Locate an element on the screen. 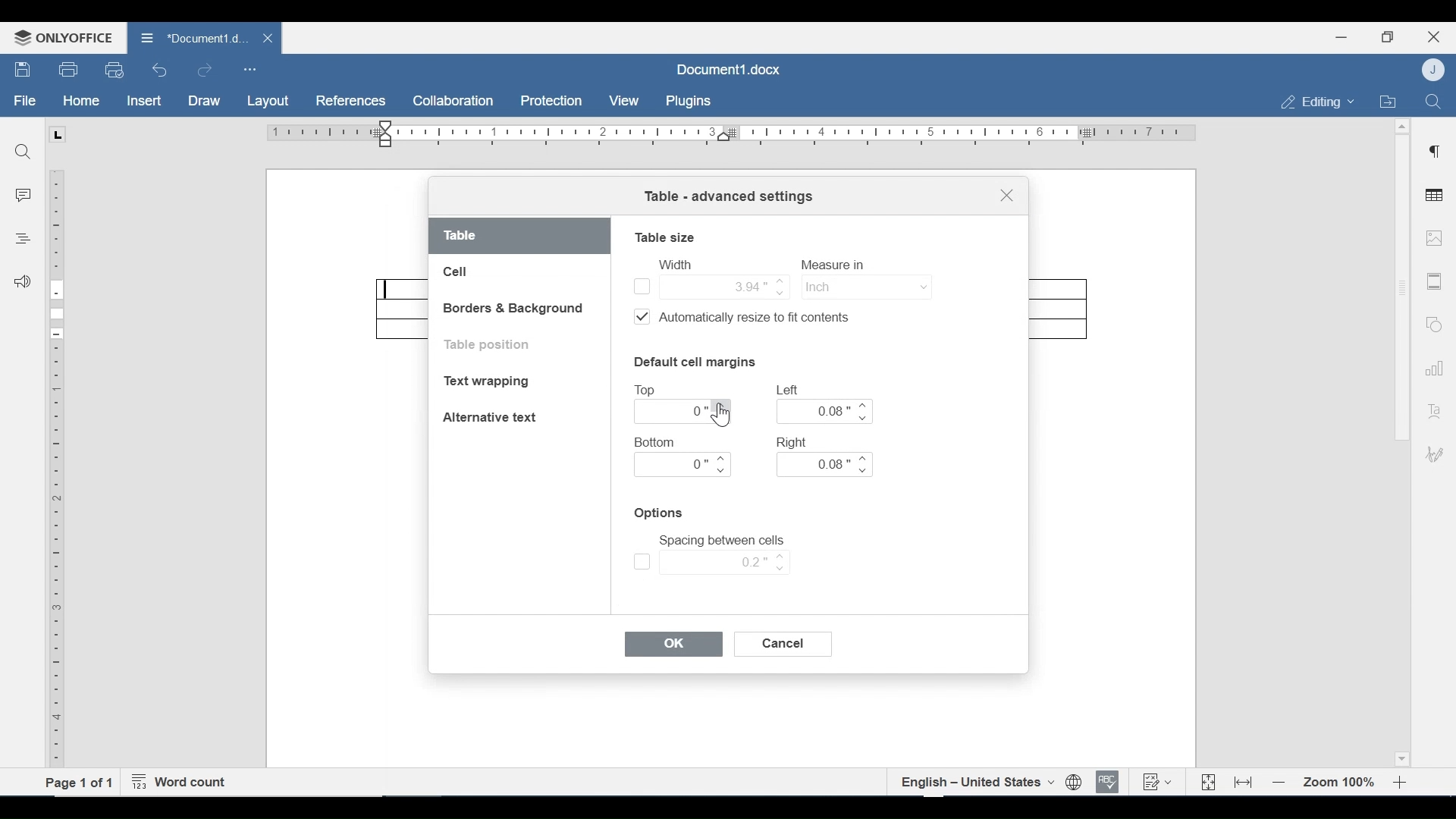 This screenshot has width=1456, height=819. Signature is located at coordinates (1432, 456).